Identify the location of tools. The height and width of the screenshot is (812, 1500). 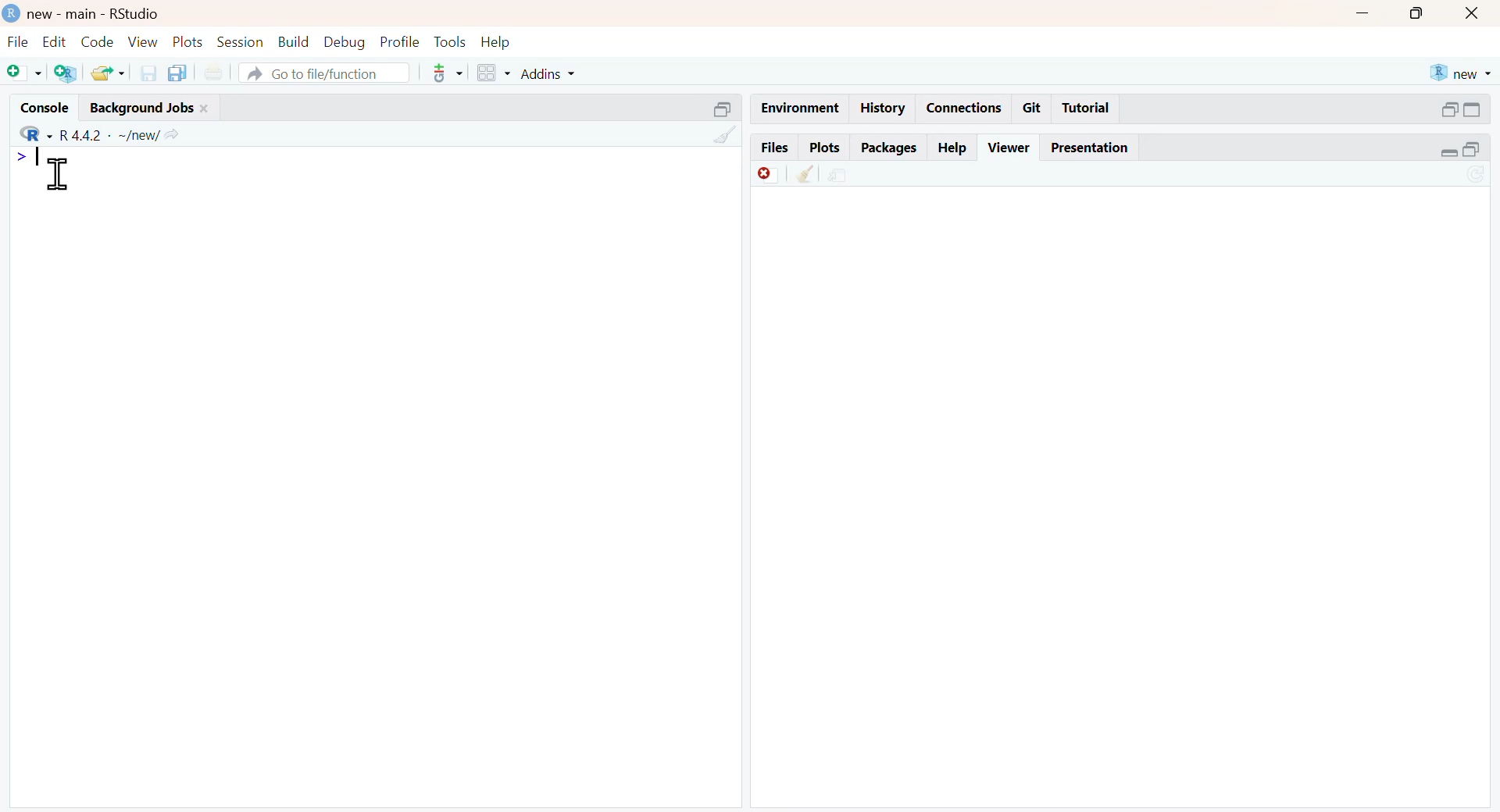
(449, 73).